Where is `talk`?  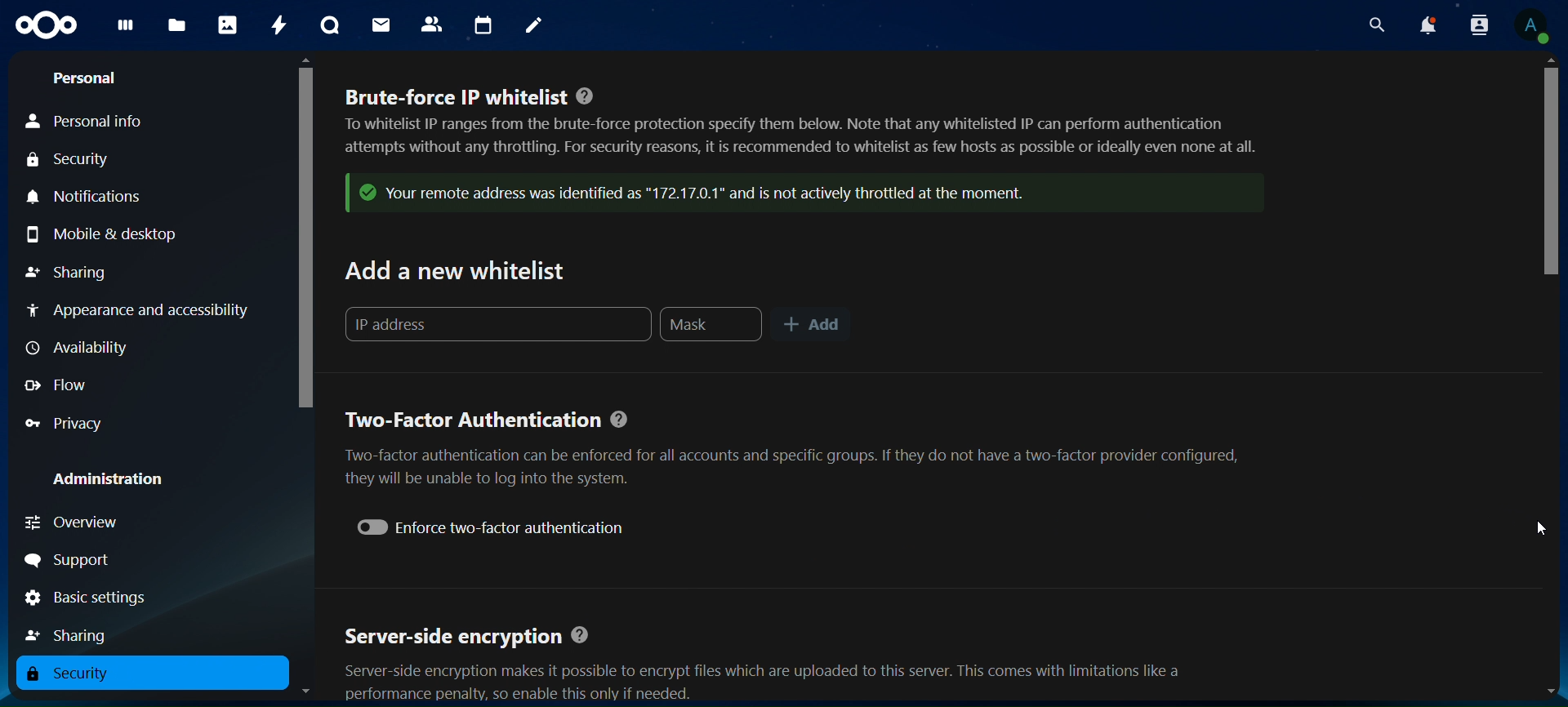 talk is located at coordinates (327, 26).